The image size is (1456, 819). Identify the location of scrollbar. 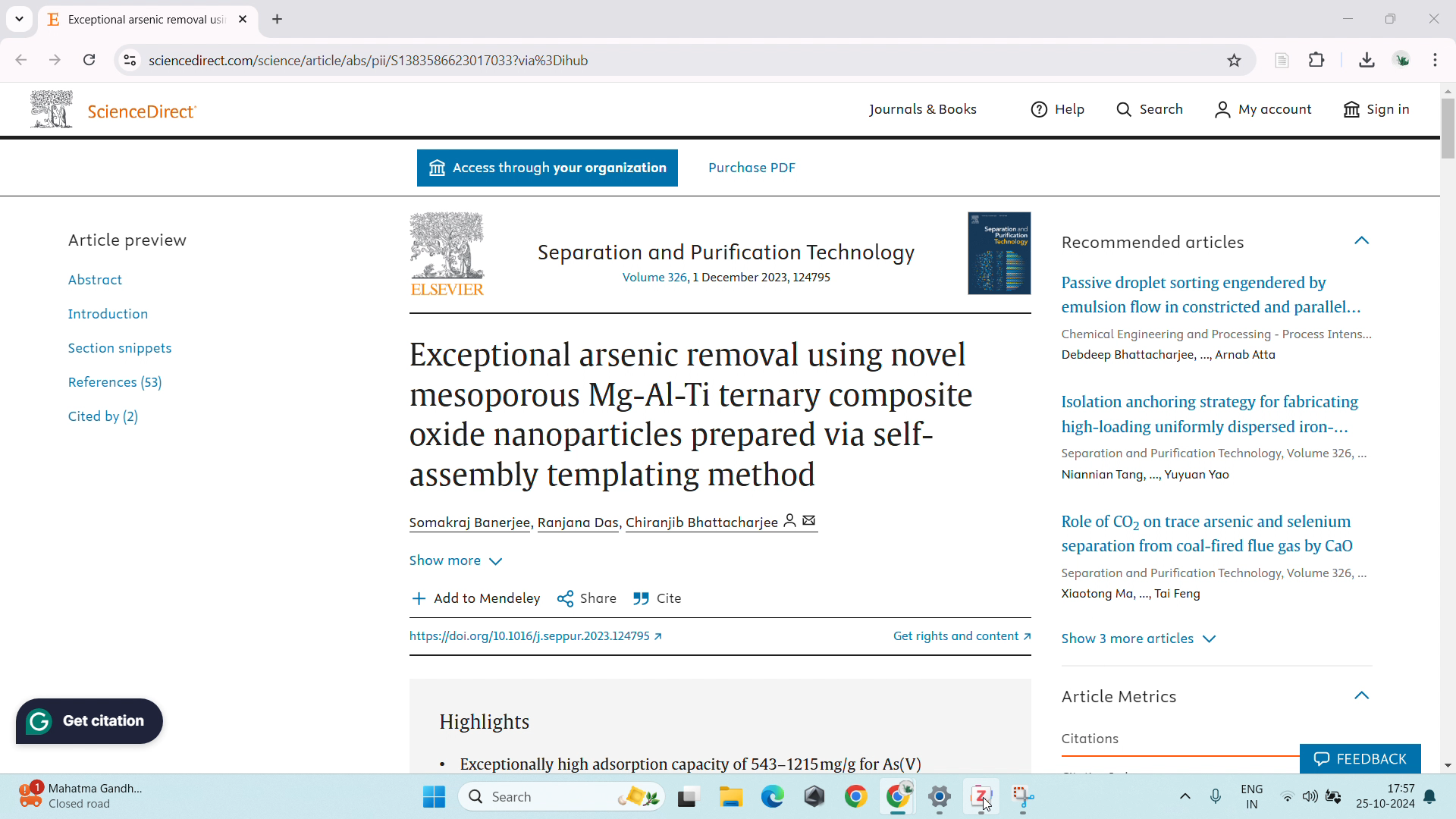
(1446, 137).